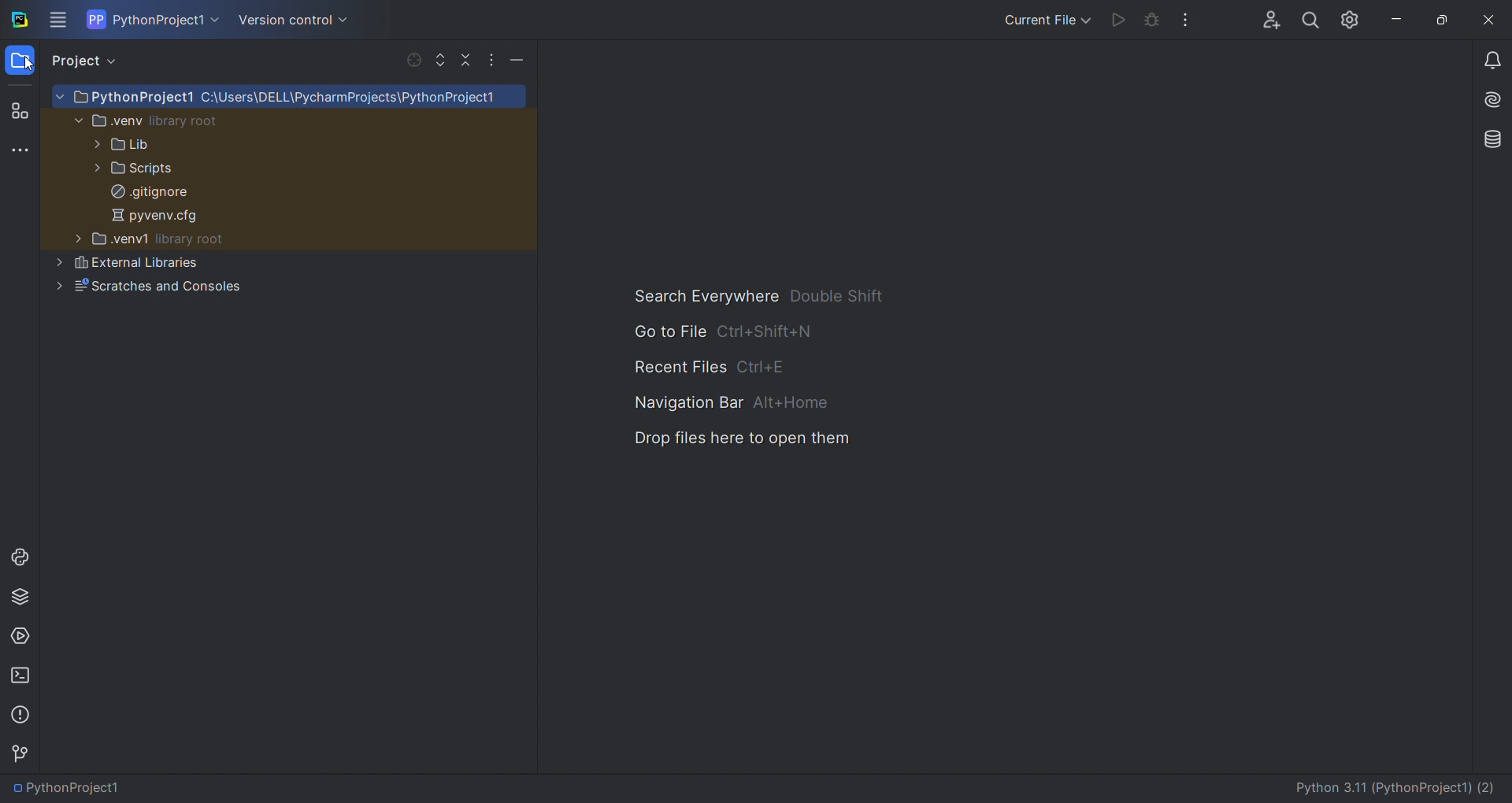 The height and width of the screenshot is (803, 1512). I want to click on minimize, so click(1394, 16).